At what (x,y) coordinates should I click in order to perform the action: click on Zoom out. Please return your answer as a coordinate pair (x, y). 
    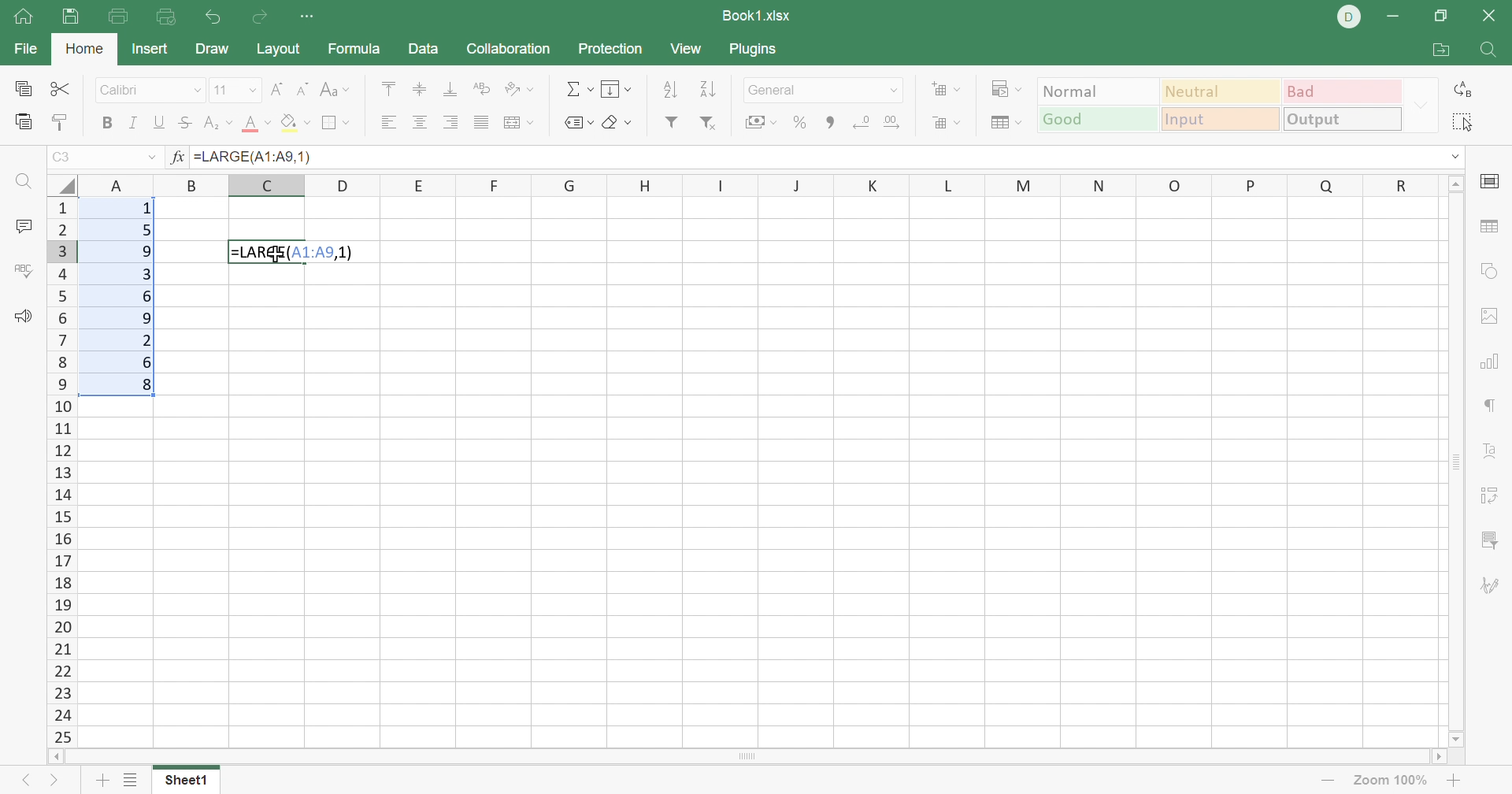
    Looking at the image, I should click on (1326, 783).